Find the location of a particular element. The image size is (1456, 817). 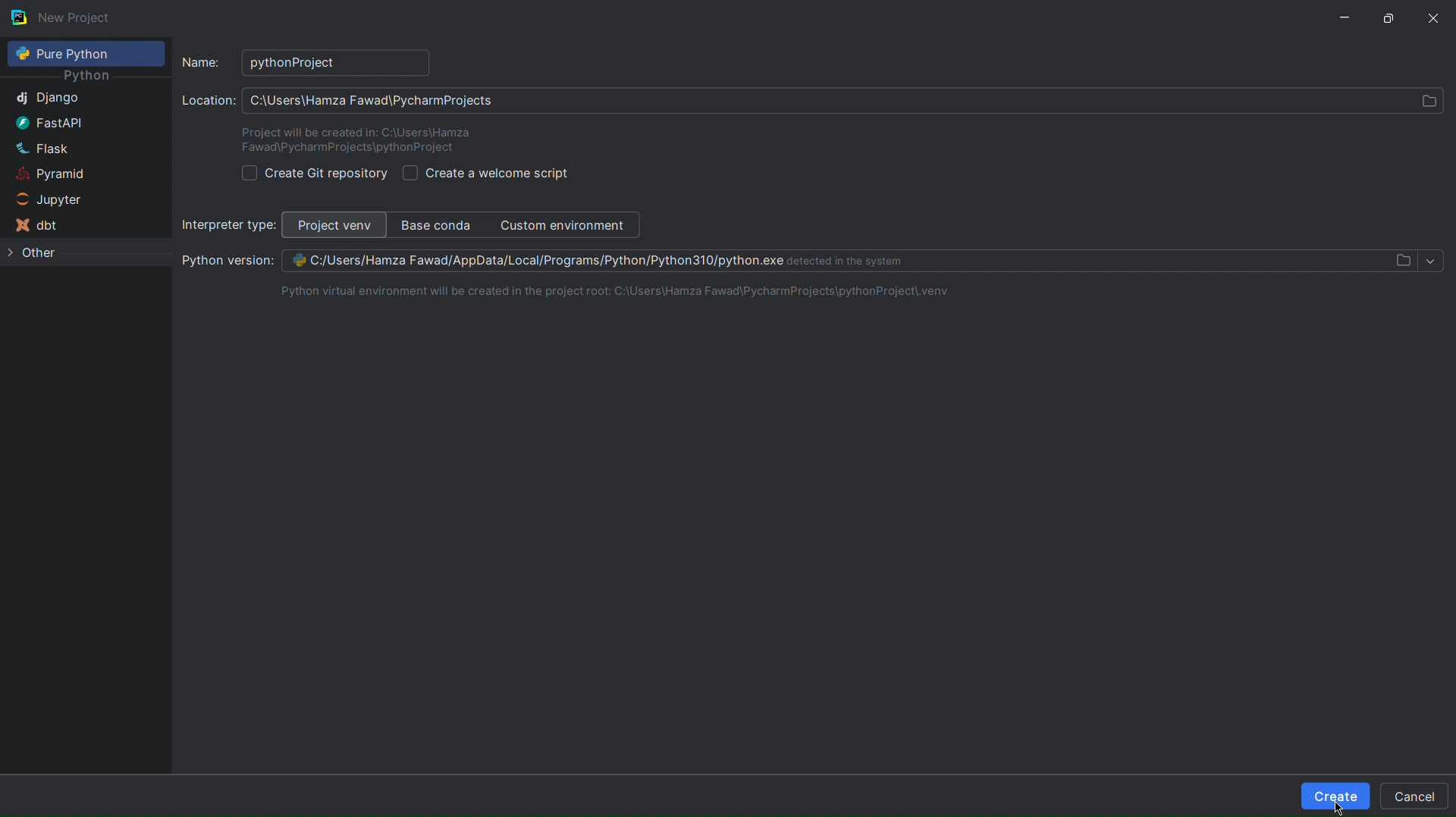

Project venv is located at coordinates (334, 225).